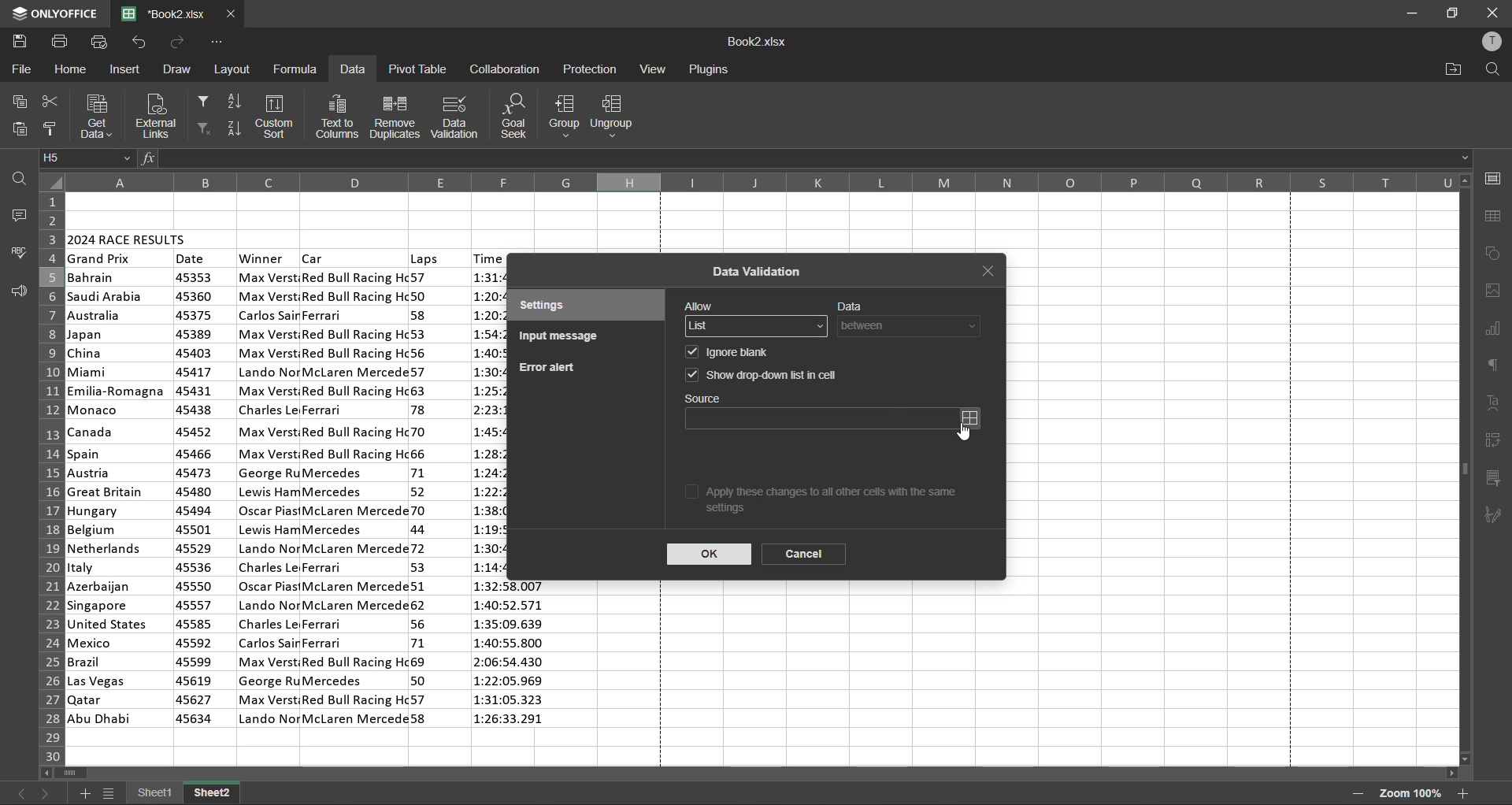 The image size is (1512, 805). Describe the element at coordinates (84, 793) in the screenshot. I see `add sheet` at that location.